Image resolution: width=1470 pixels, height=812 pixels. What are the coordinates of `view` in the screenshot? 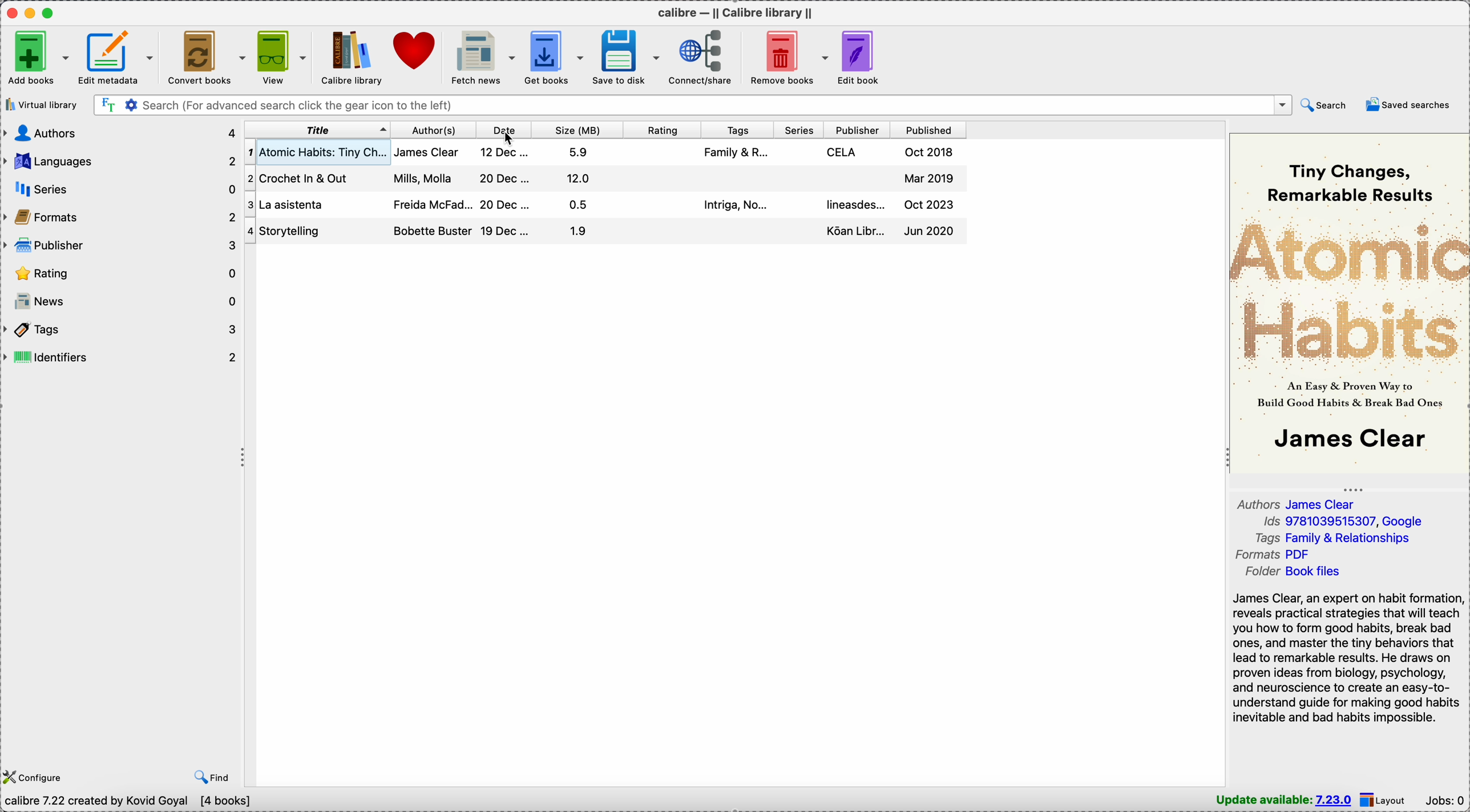 It's located at (283, 58).